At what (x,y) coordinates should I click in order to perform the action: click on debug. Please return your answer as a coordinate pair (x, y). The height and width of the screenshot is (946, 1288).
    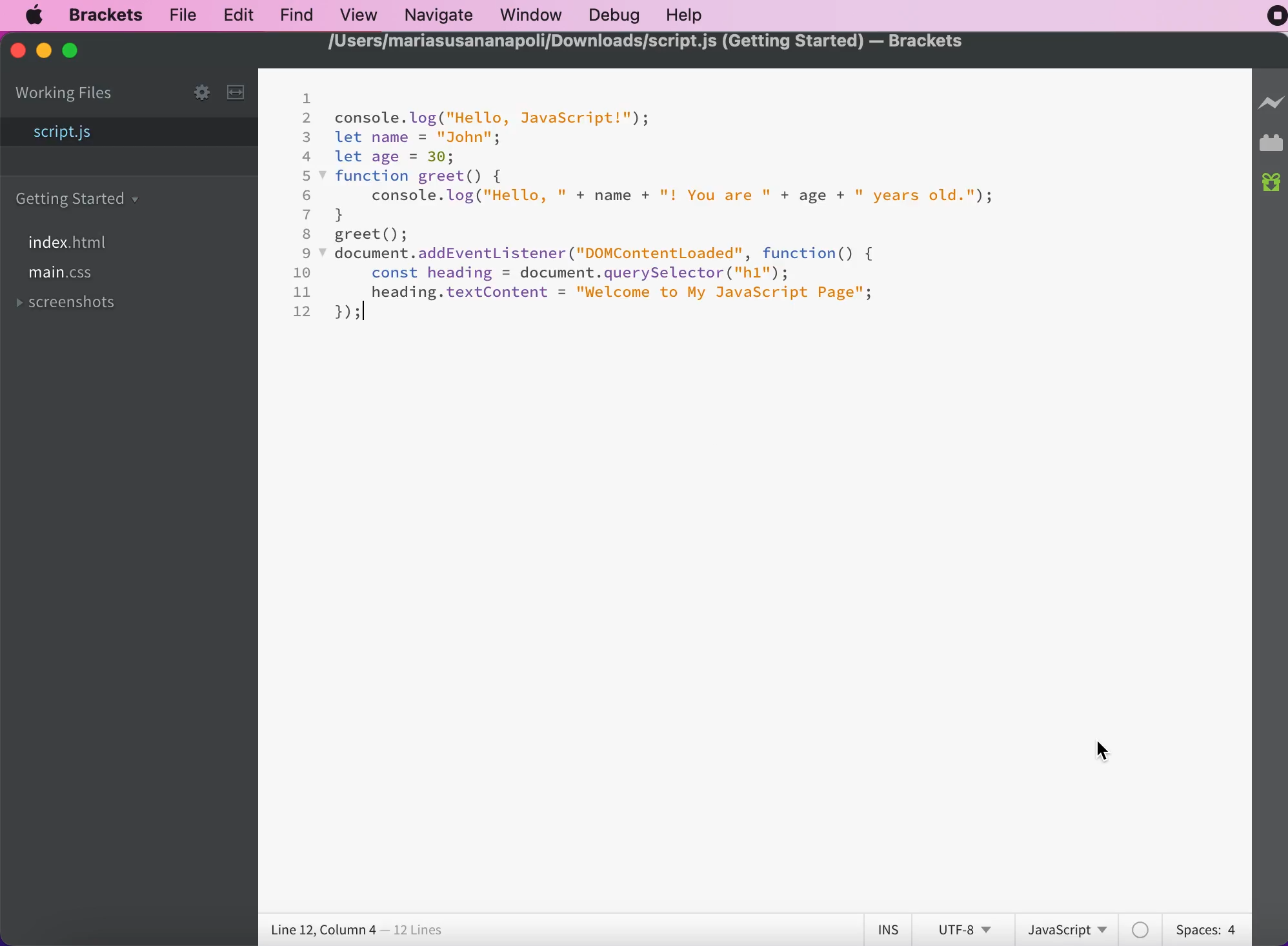
    Looking at the image, I should click on (612, 15).